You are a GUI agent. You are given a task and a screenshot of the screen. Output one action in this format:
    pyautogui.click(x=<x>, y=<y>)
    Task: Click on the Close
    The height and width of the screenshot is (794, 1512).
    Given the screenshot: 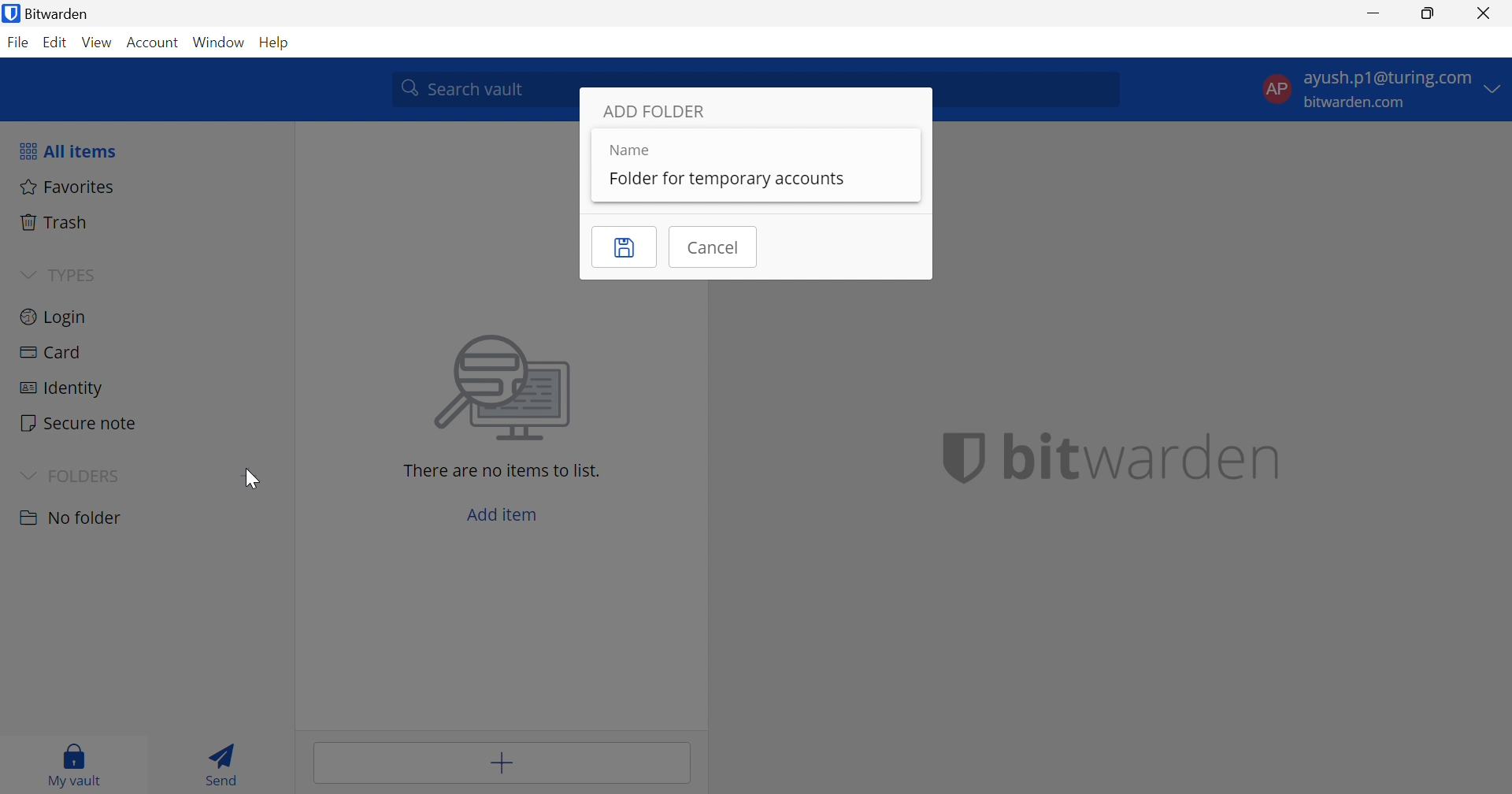 What is the action you would take?
    pyautogui.click(x=1482, y=13)
    